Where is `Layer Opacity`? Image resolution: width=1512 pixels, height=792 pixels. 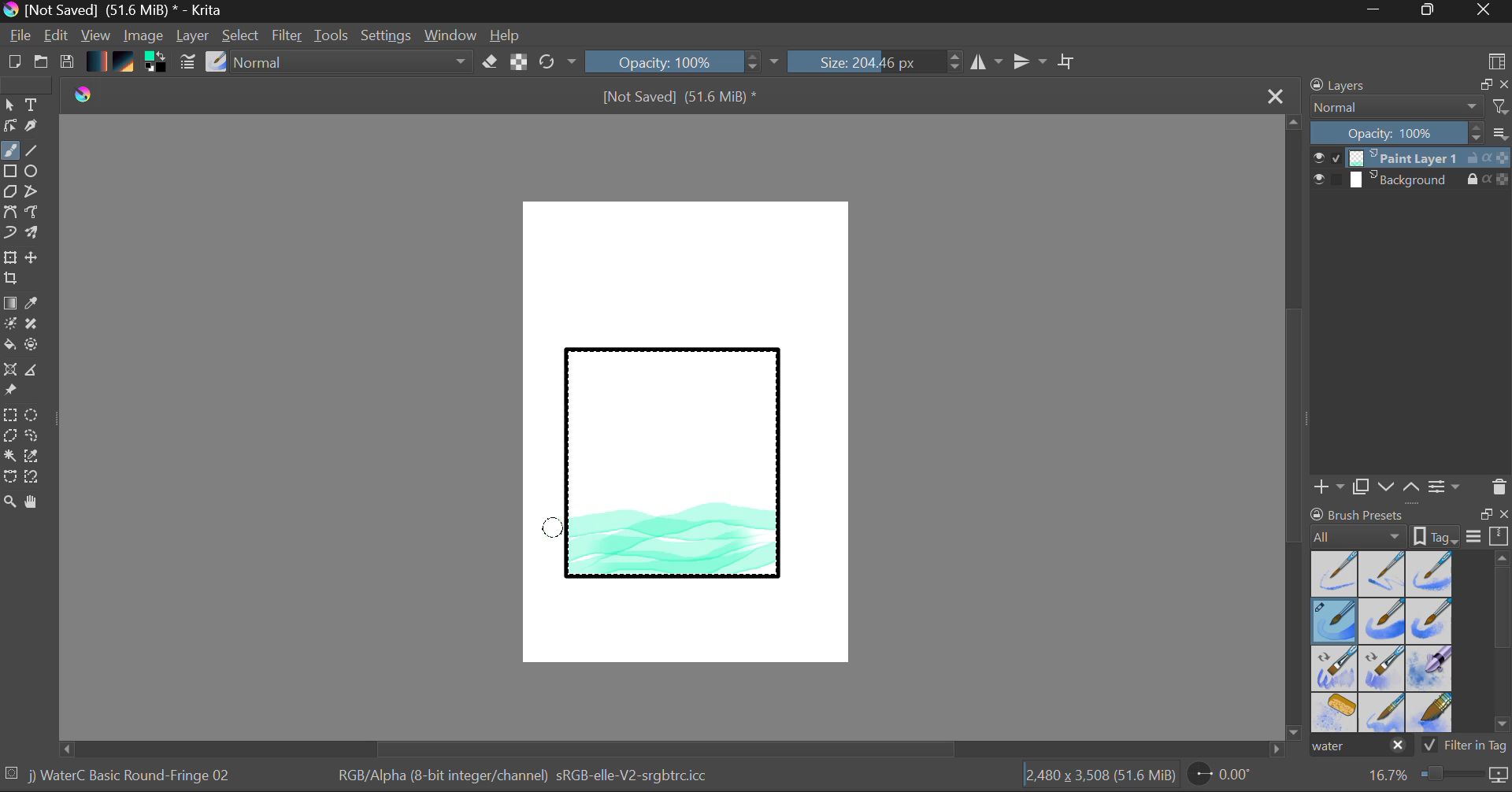 Layer Opacity is located at coordinates (1412, 134).